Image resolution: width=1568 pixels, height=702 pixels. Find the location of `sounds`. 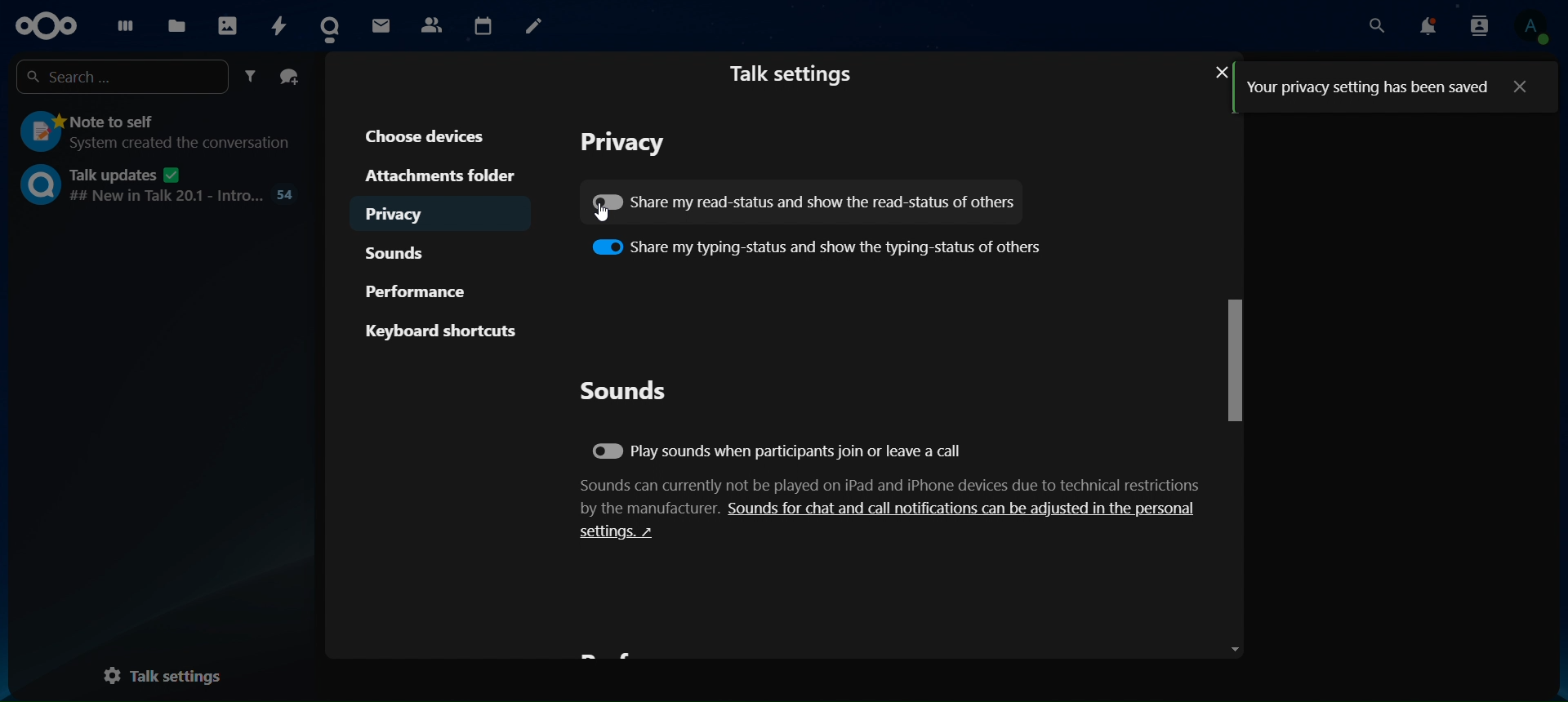

sounds is located at coordinates (406, 251).